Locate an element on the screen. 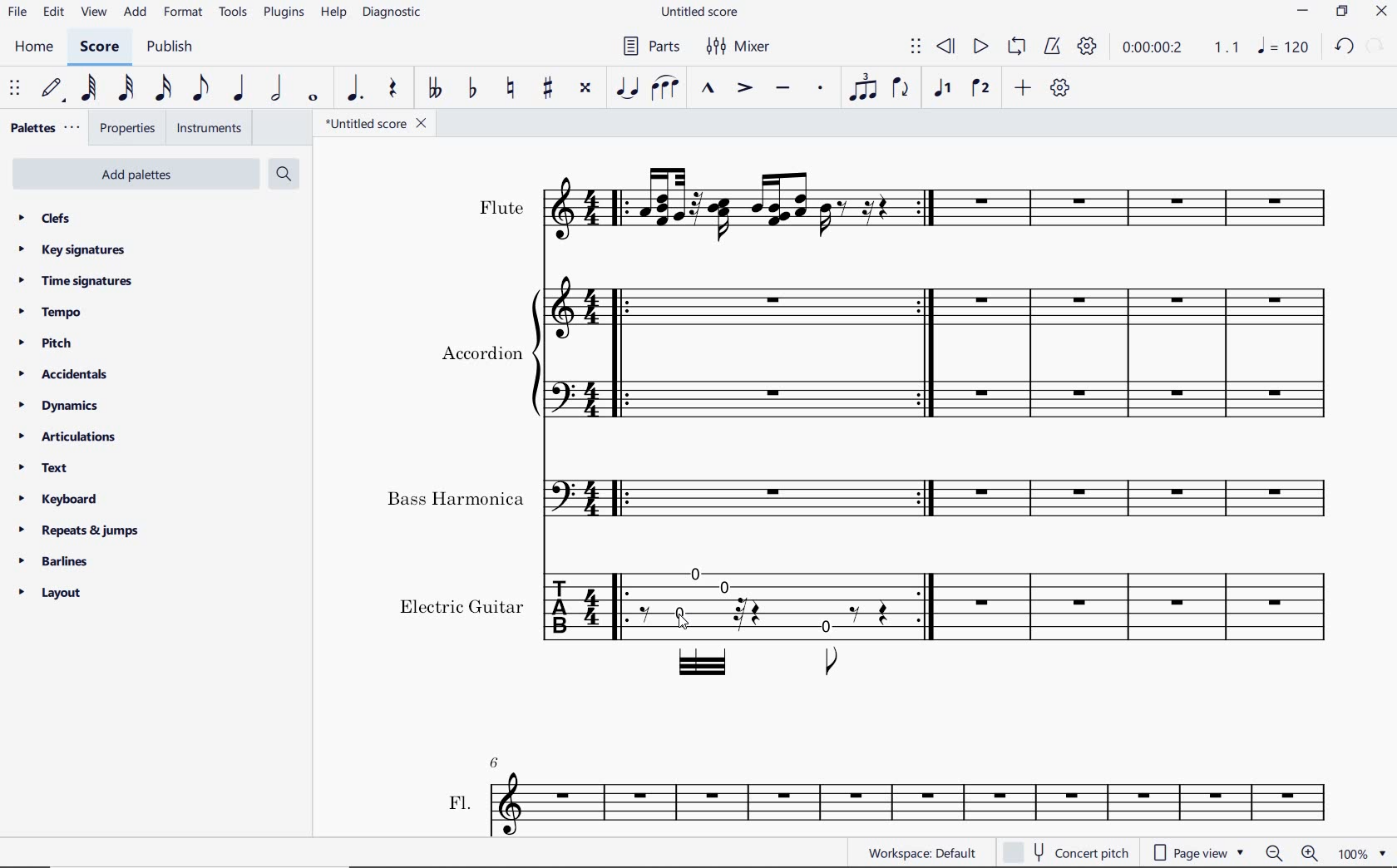 The image size is (1397, 868). tools is located at coordinates (233, 17).